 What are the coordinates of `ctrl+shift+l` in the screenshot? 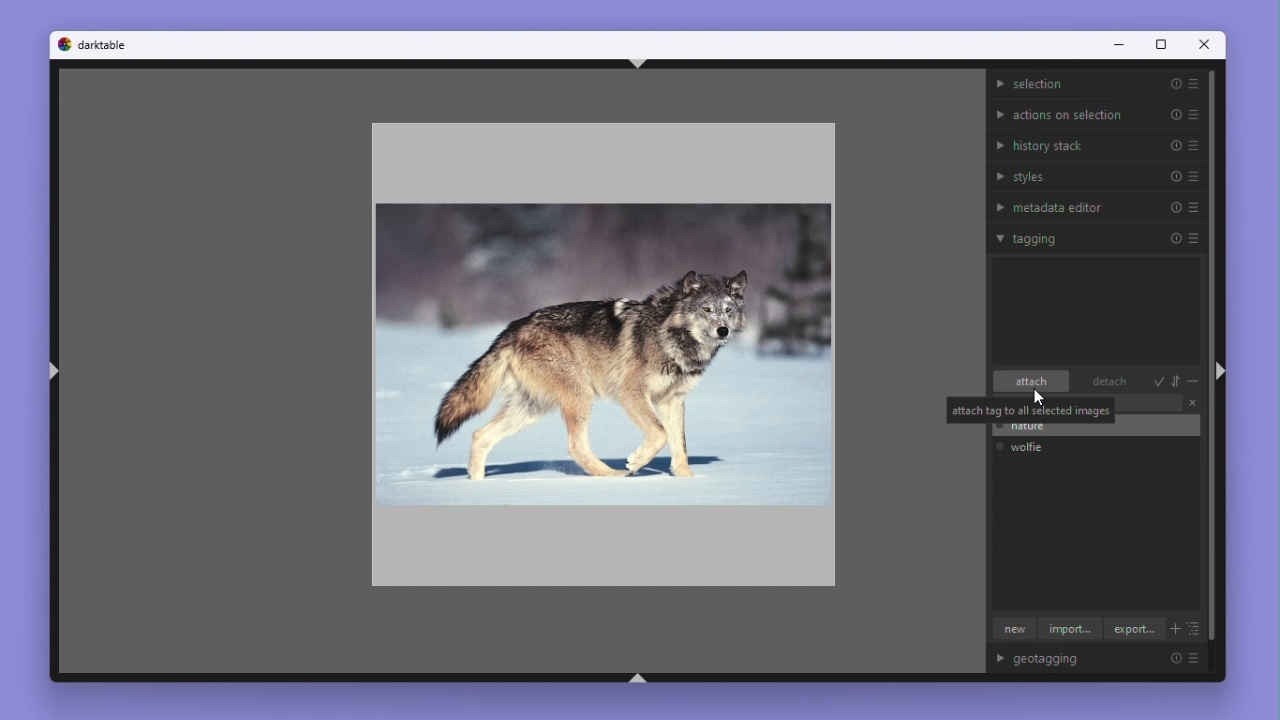 It's located at (53, 373).